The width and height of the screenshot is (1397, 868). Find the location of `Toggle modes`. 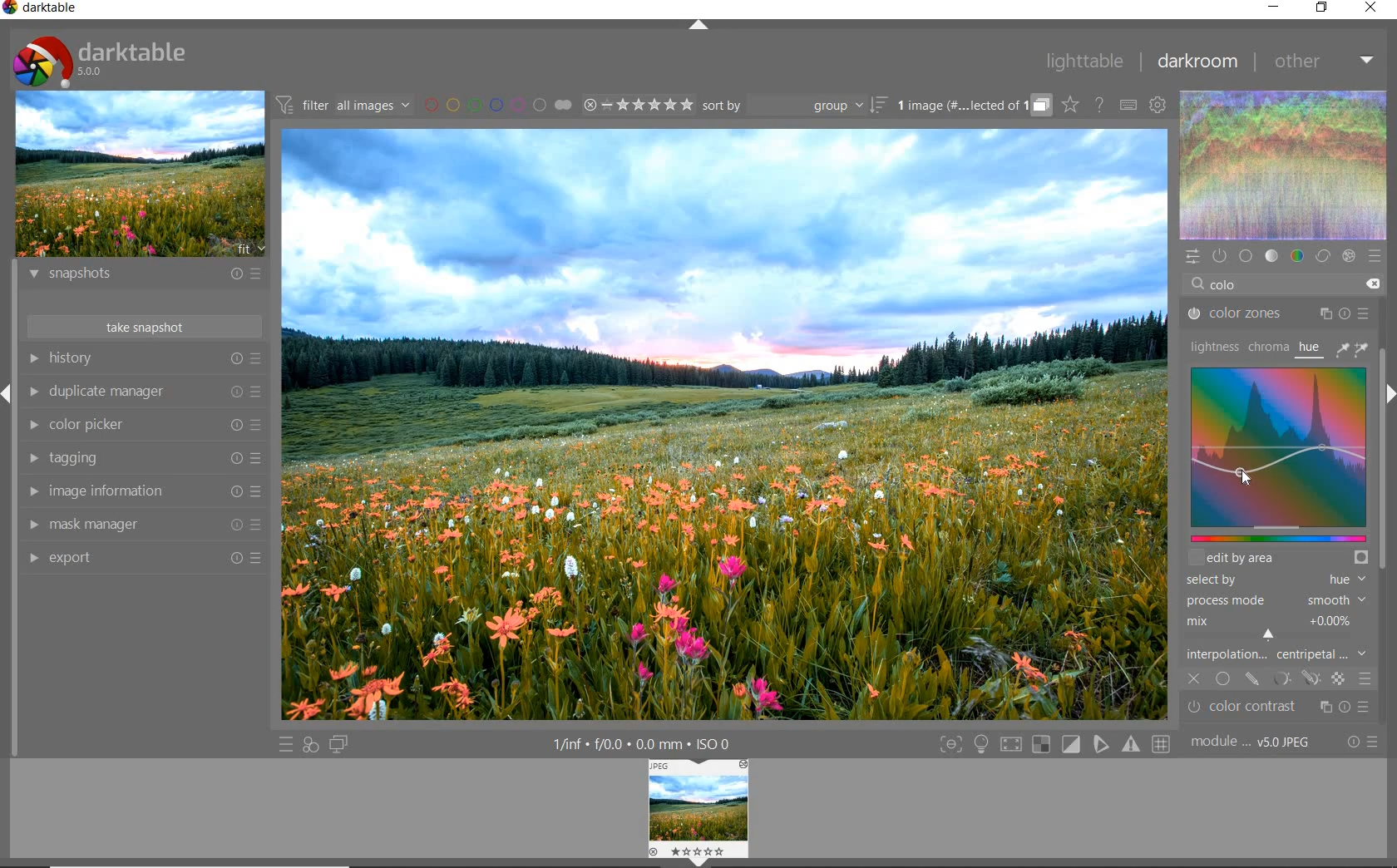

Toggle modes is located at coordinates (1054, 745).